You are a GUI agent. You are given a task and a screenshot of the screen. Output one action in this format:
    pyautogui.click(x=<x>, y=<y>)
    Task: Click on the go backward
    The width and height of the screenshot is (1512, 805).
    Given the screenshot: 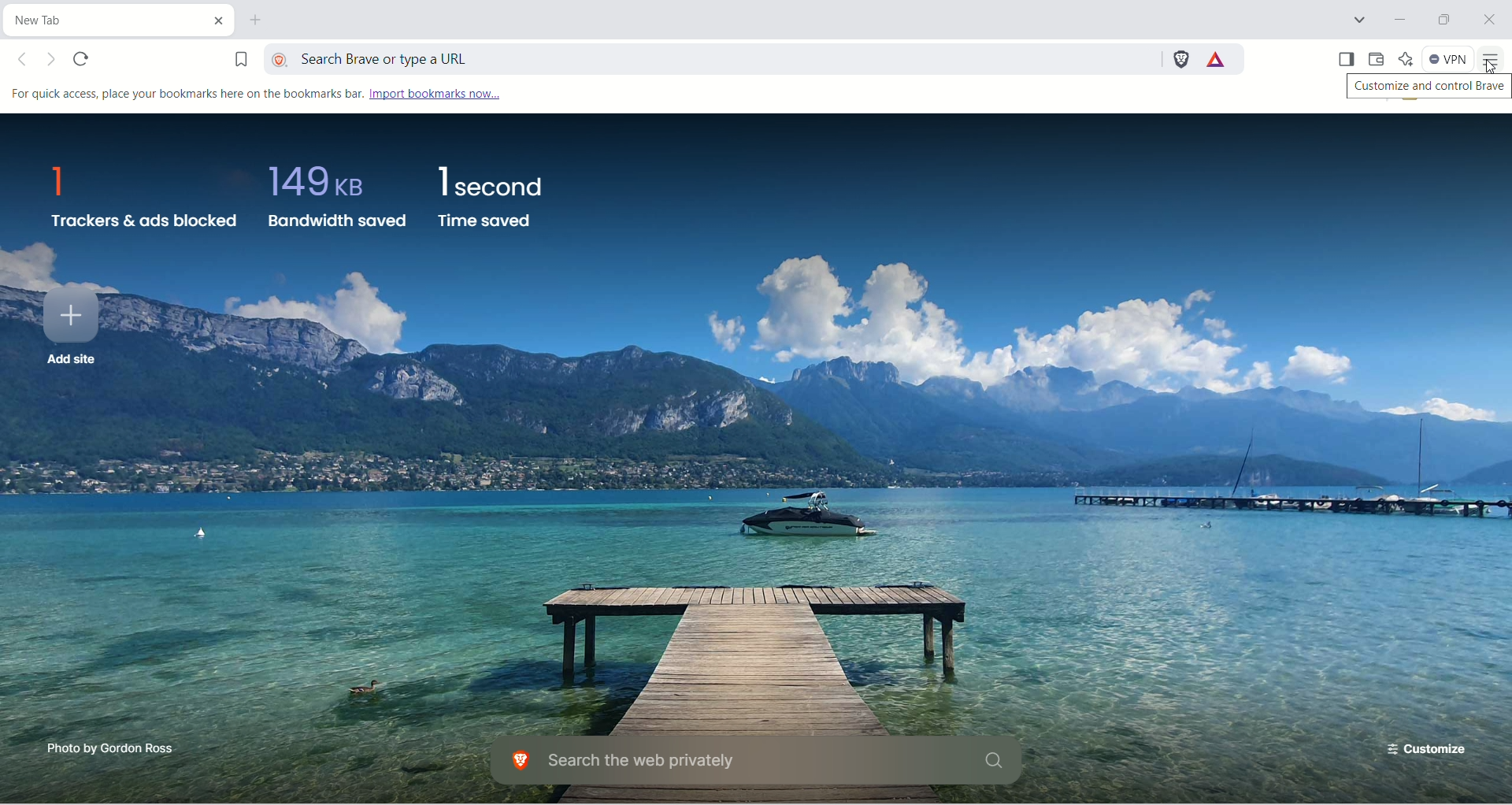 What is the action you would take?
    pyautogui.click(x=27, y=60)
    